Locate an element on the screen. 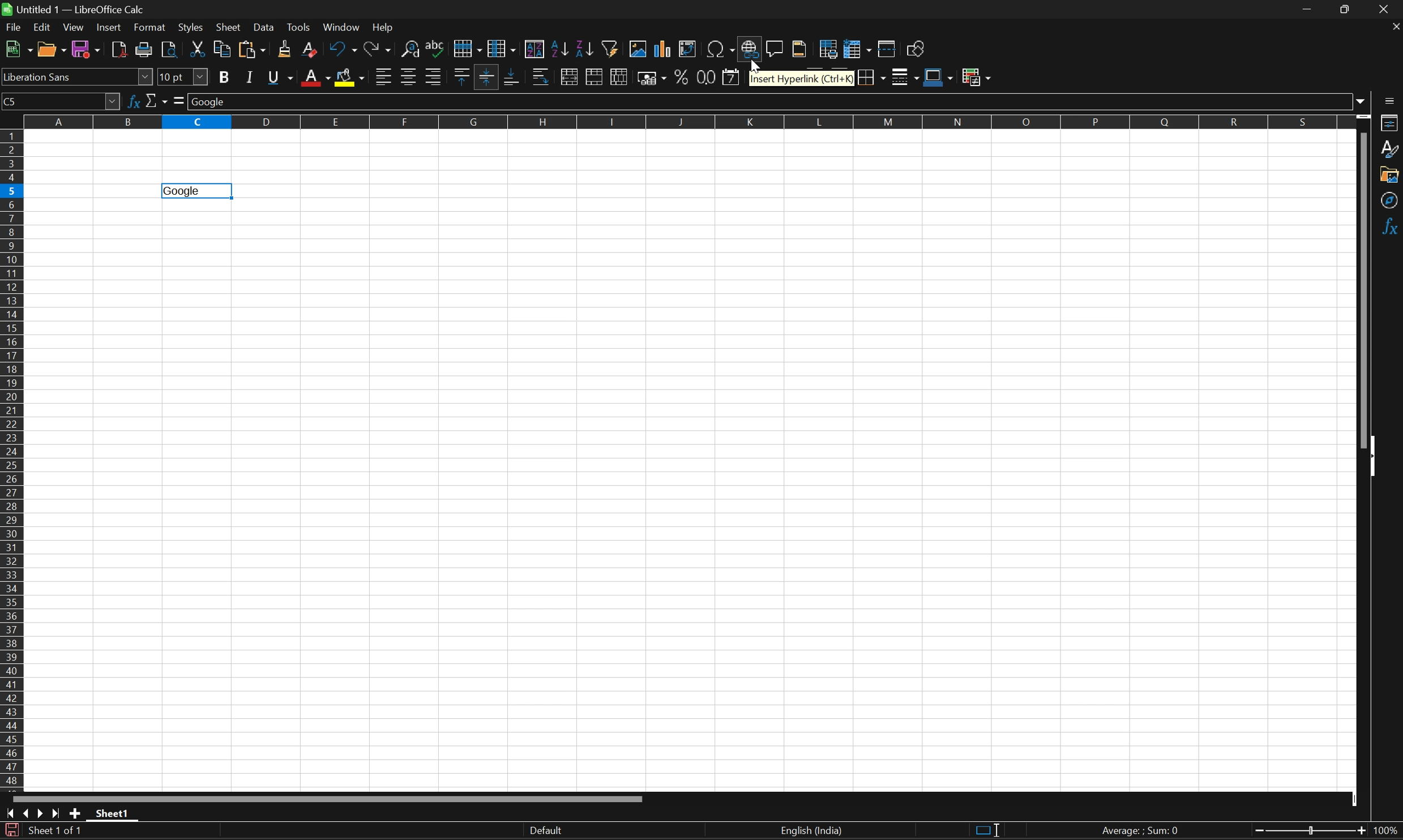 The image size is (1403, 840). Styles is located at coordinates (191, 29).